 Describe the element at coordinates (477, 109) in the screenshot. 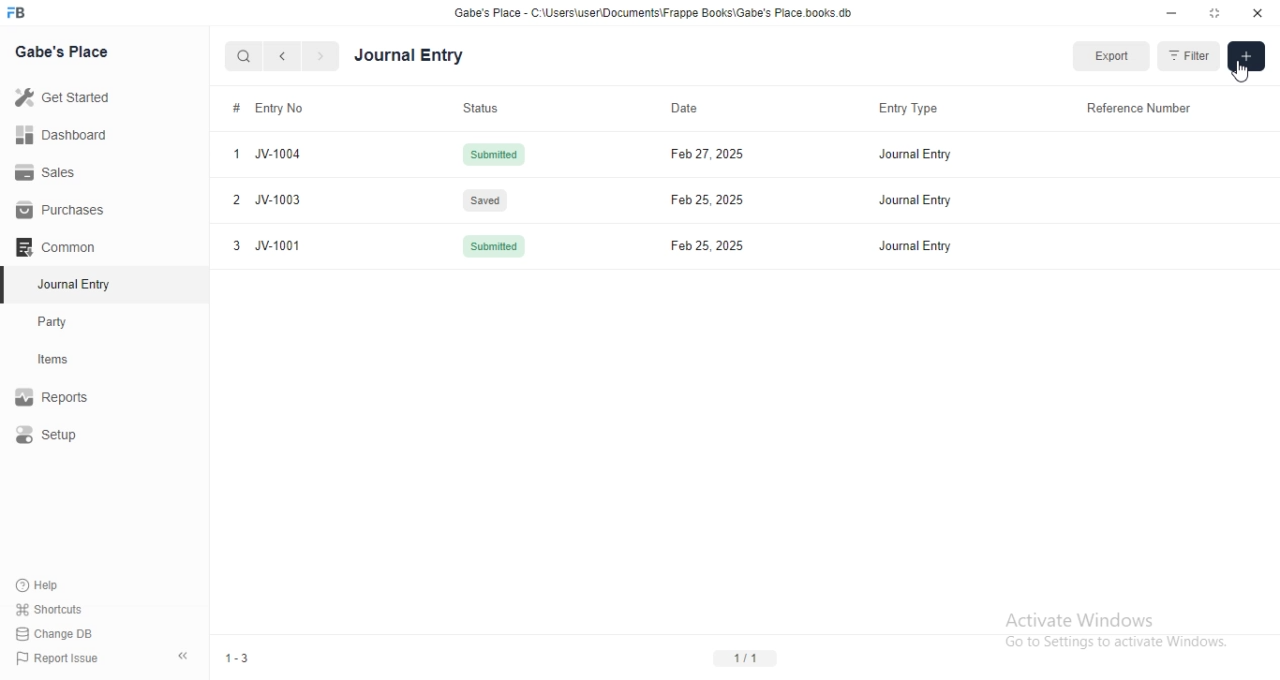

I see `Status.` at that location.